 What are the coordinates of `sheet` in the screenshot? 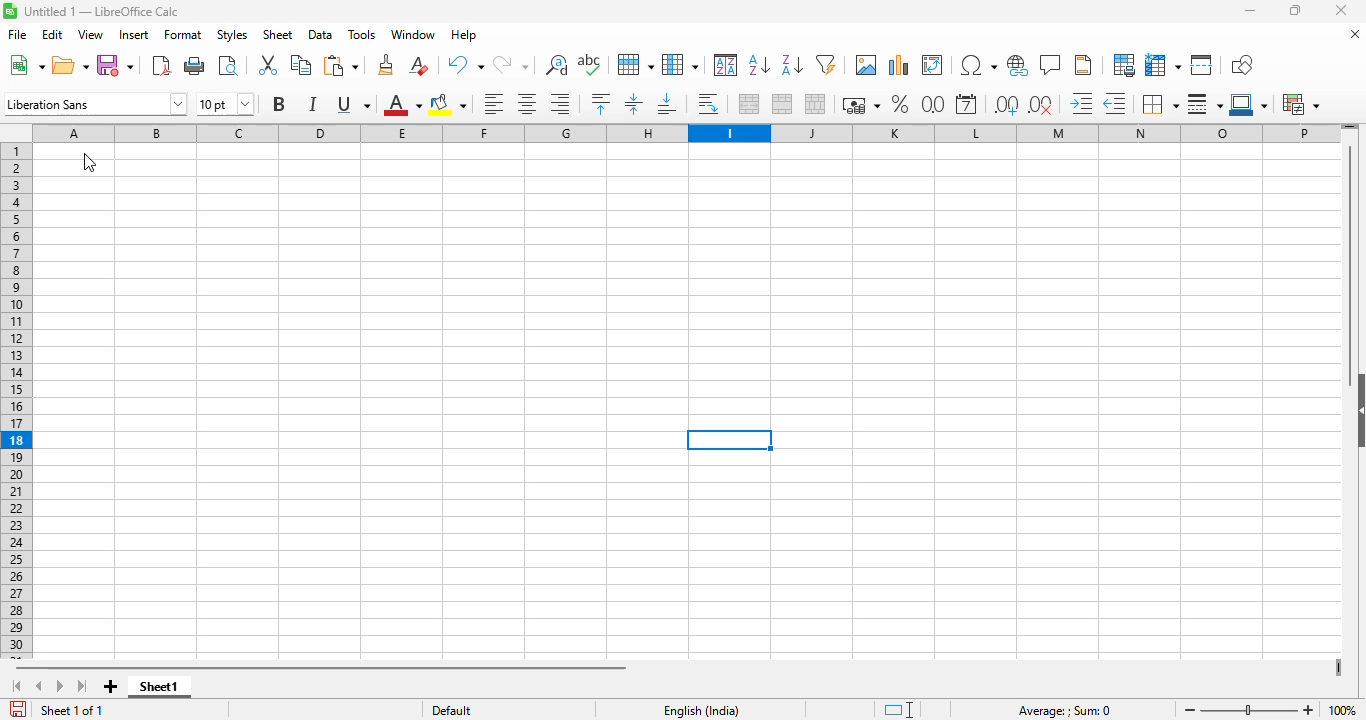 It's located at (278, 34).